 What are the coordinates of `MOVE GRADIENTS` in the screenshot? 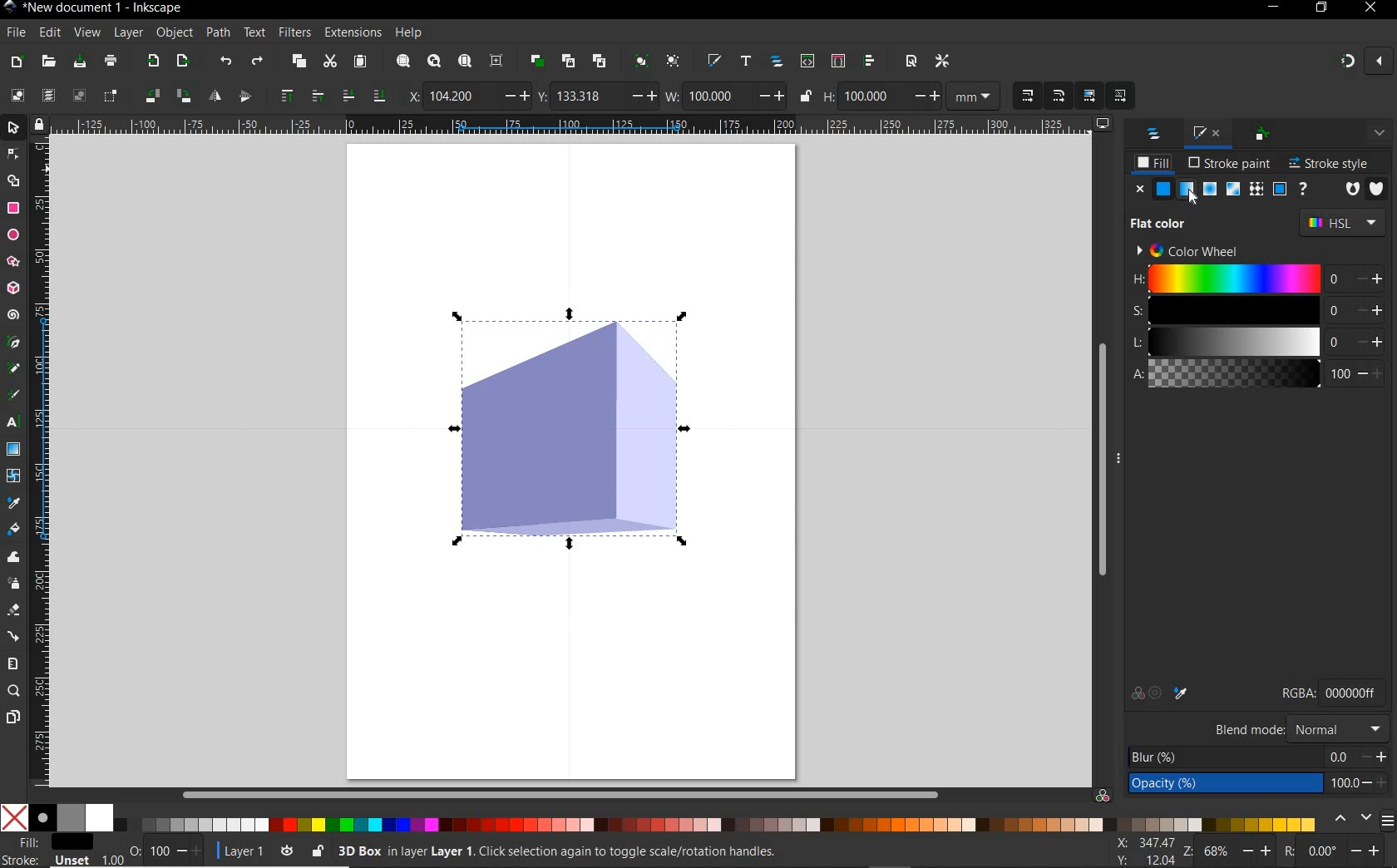 It's located at (1088, 95).